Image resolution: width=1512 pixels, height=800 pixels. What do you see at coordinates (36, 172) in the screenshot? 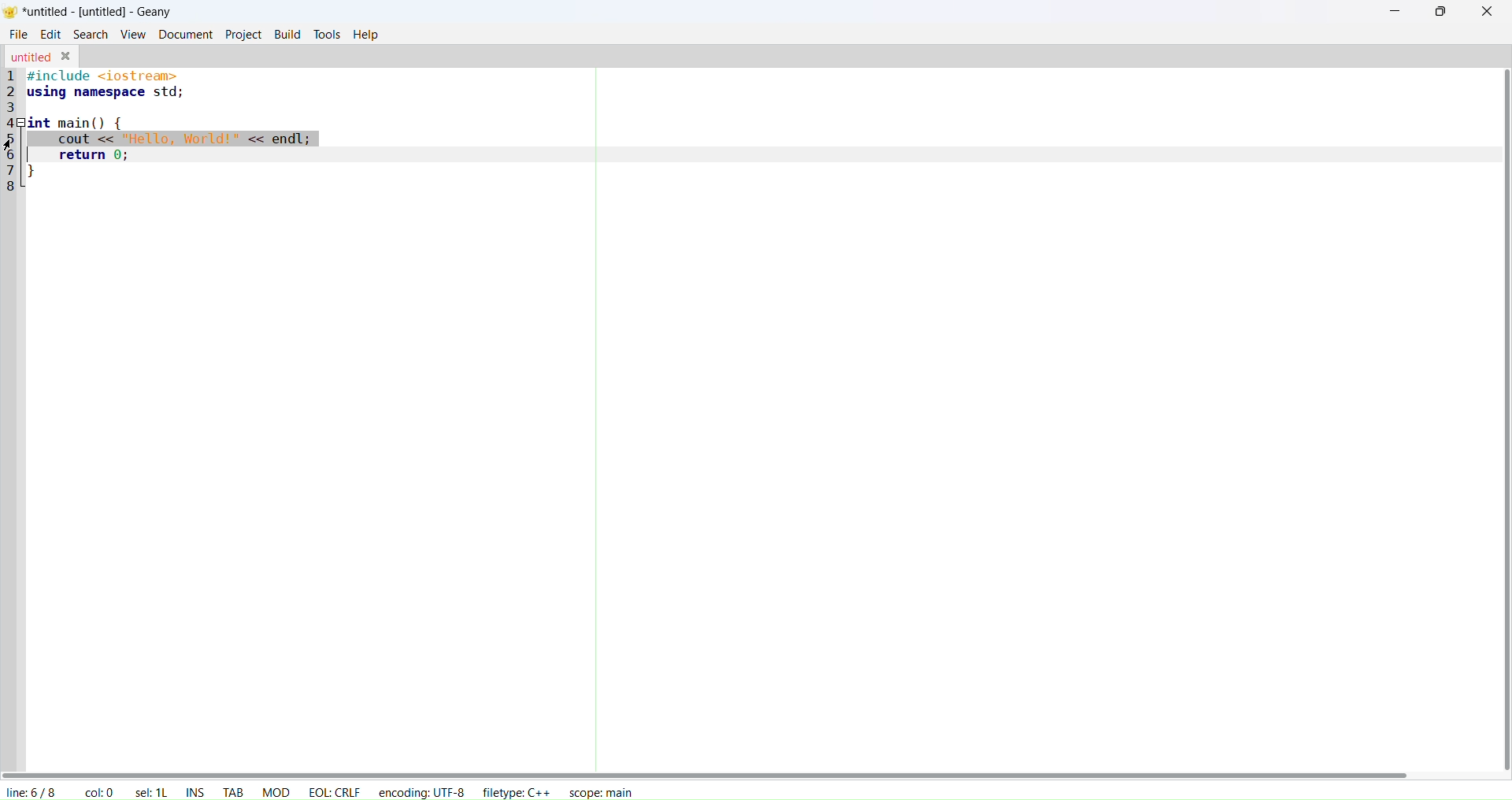
I see `7 }` at bounding box center [36, 172].